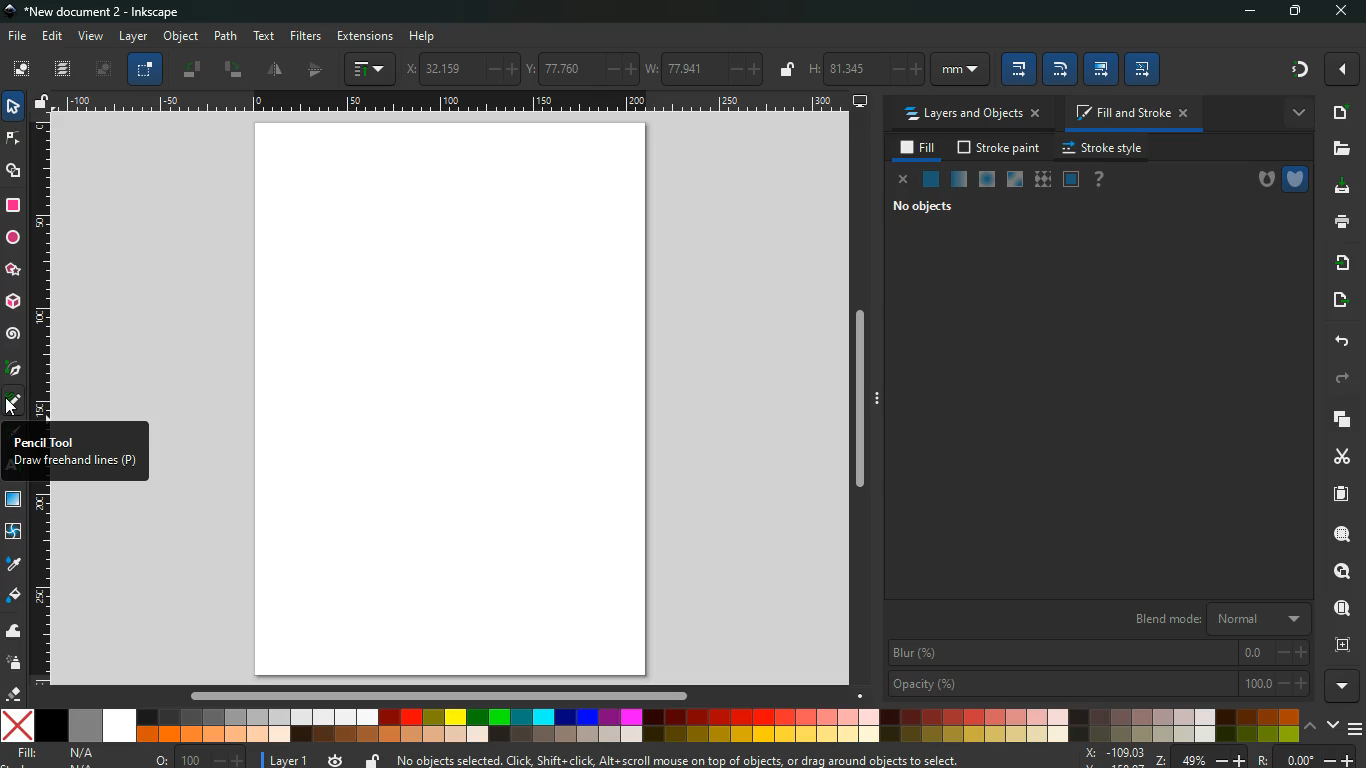 The height and width of the screenshot is (768, 1366). I want to click on view, so click(91, 37).